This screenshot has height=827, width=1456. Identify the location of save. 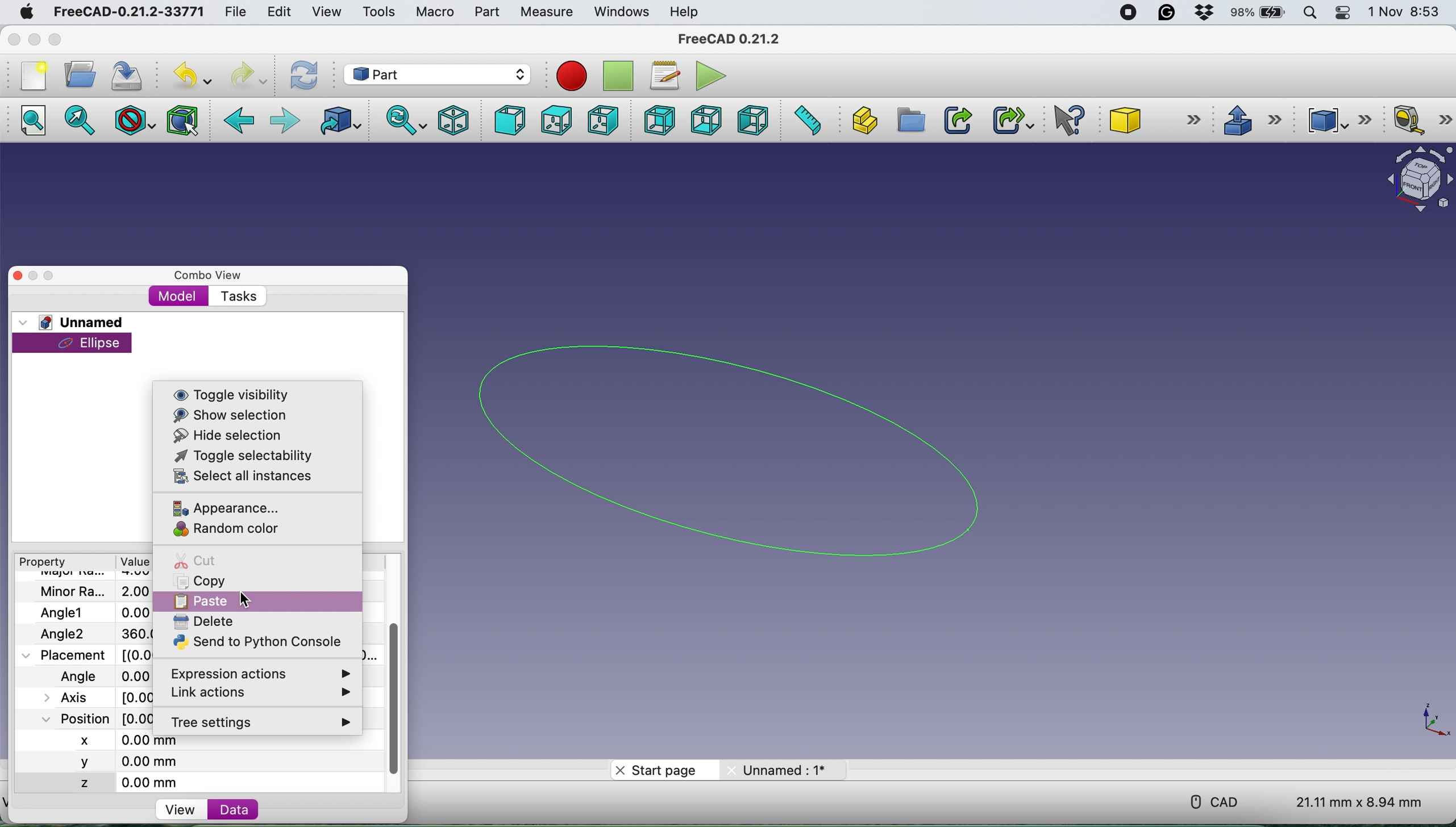
(130, 74).